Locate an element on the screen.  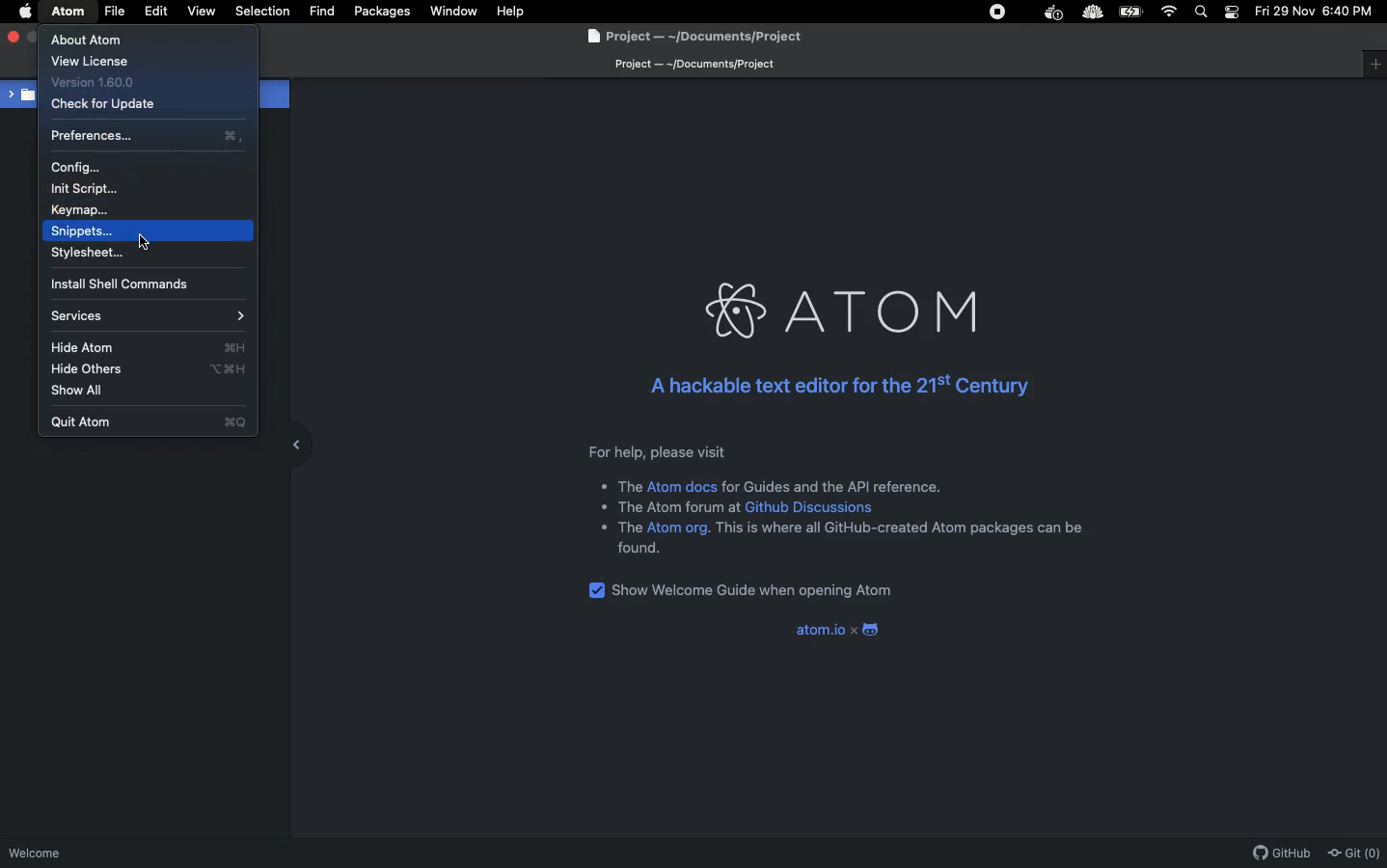
Hide others is located at coordinates (148, 367).